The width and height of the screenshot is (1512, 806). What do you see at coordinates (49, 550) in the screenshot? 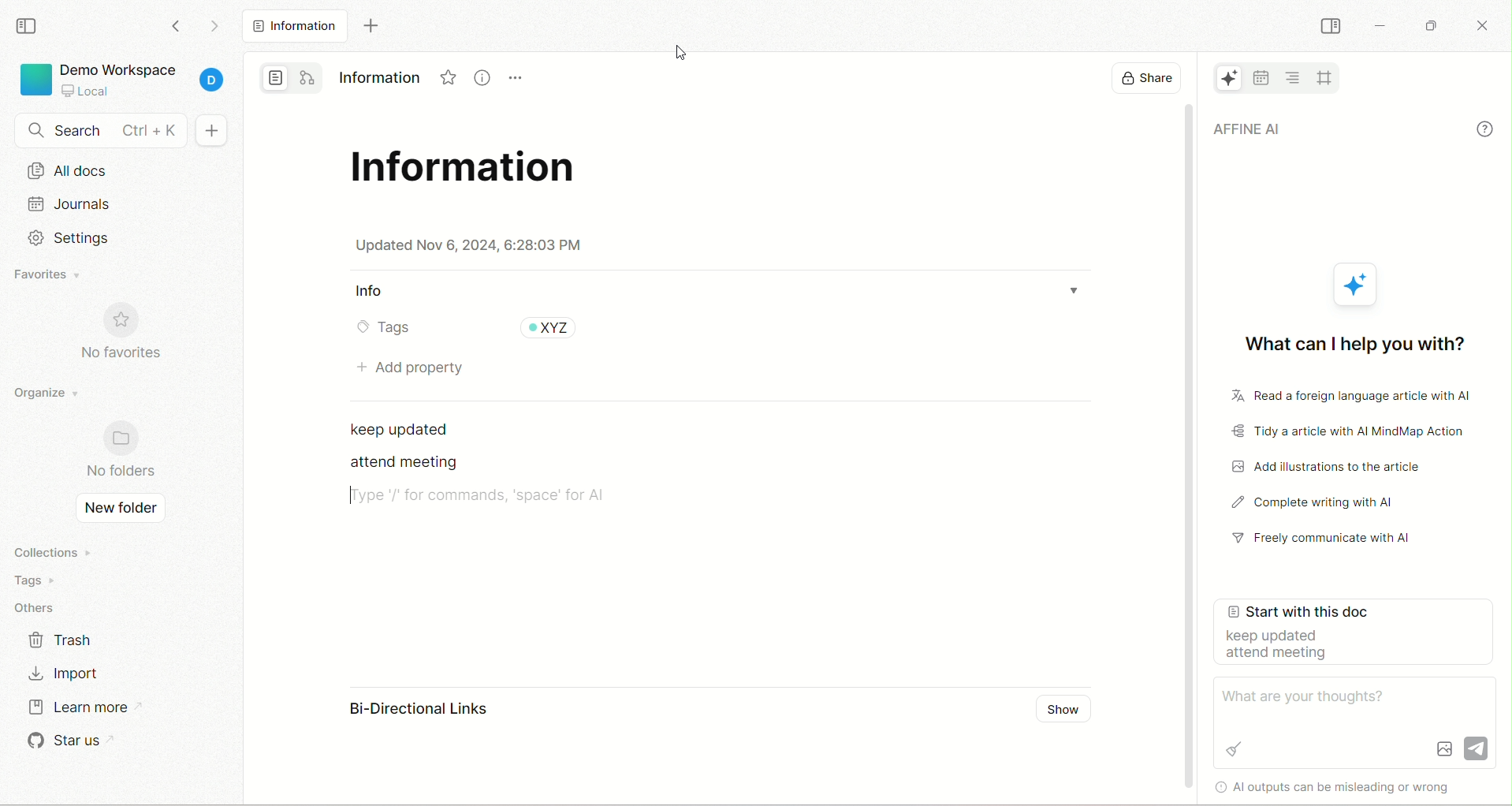
I see `collections` at bounding box center [49, 550].